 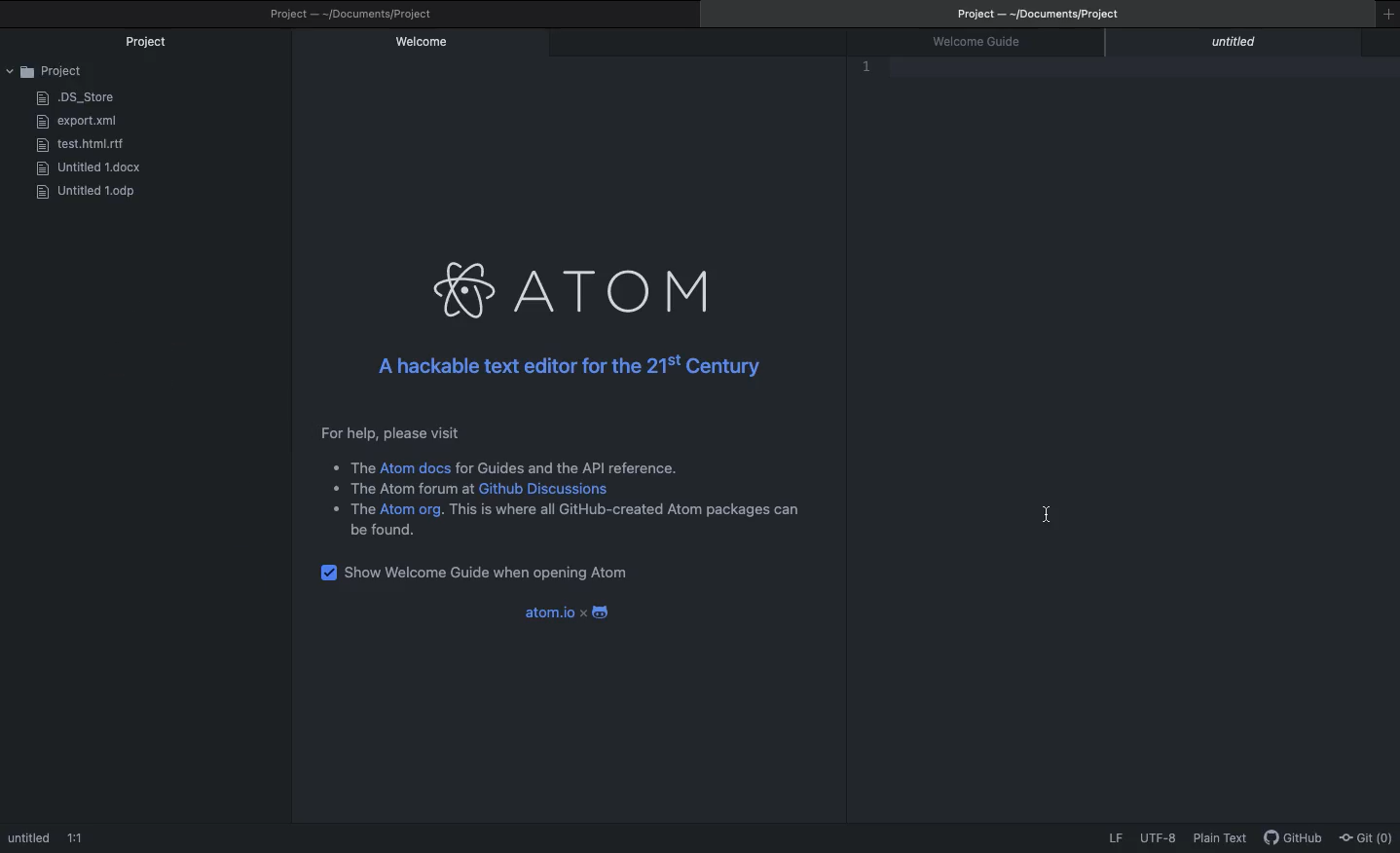 What do you see at coordinates (1158, 835) in the screenshot?
I see `UTF-8` at bounding box center [1158, 835].